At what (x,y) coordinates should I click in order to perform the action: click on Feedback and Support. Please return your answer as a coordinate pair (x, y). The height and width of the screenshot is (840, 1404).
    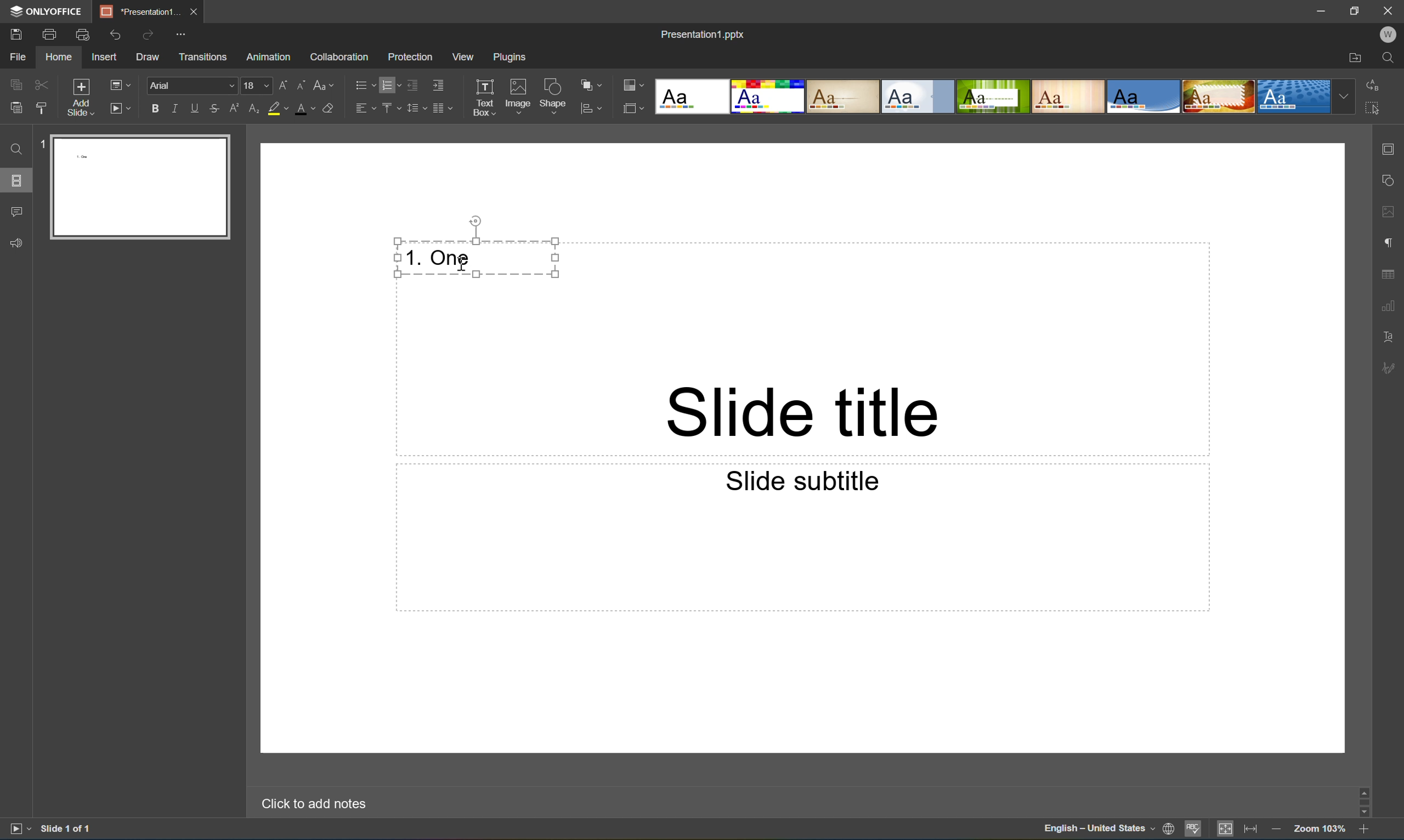
    Looking at the image, I should click on (19, 246).